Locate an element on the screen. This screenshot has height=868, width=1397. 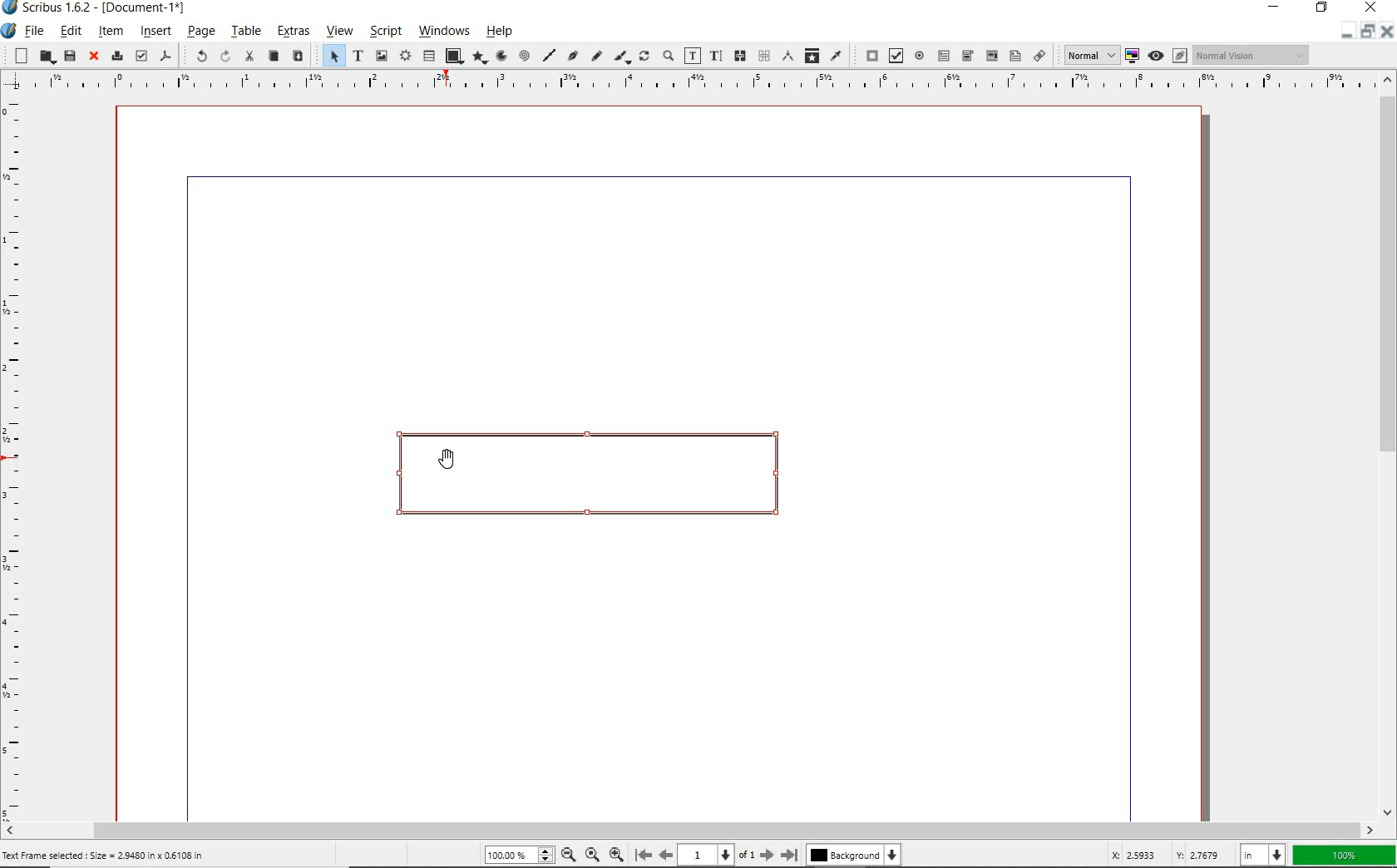
Horizontal page margin is located at coordinates (23, 458).